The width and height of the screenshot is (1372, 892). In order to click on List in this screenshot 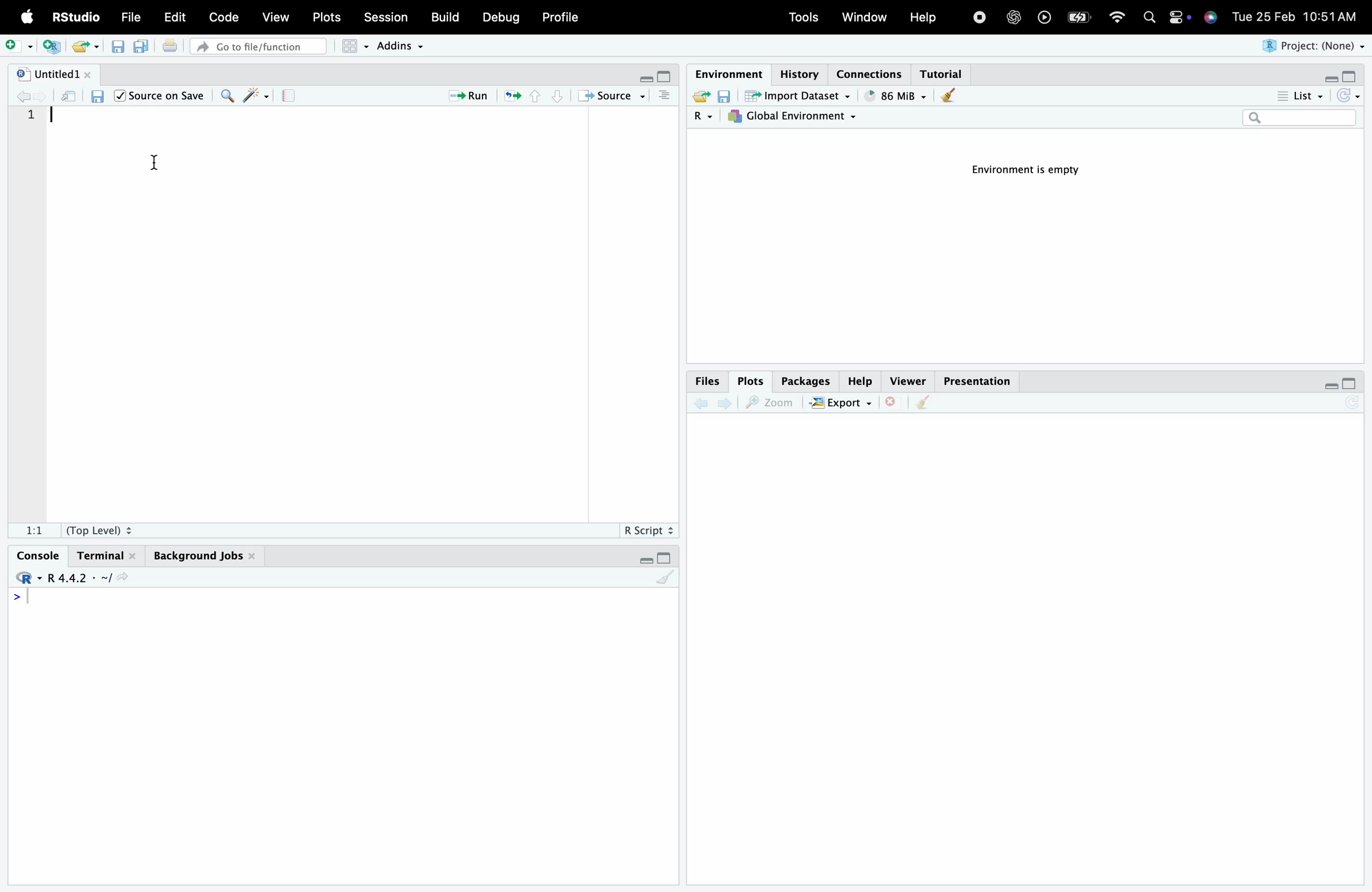, I will do `click(1295, 95)`.